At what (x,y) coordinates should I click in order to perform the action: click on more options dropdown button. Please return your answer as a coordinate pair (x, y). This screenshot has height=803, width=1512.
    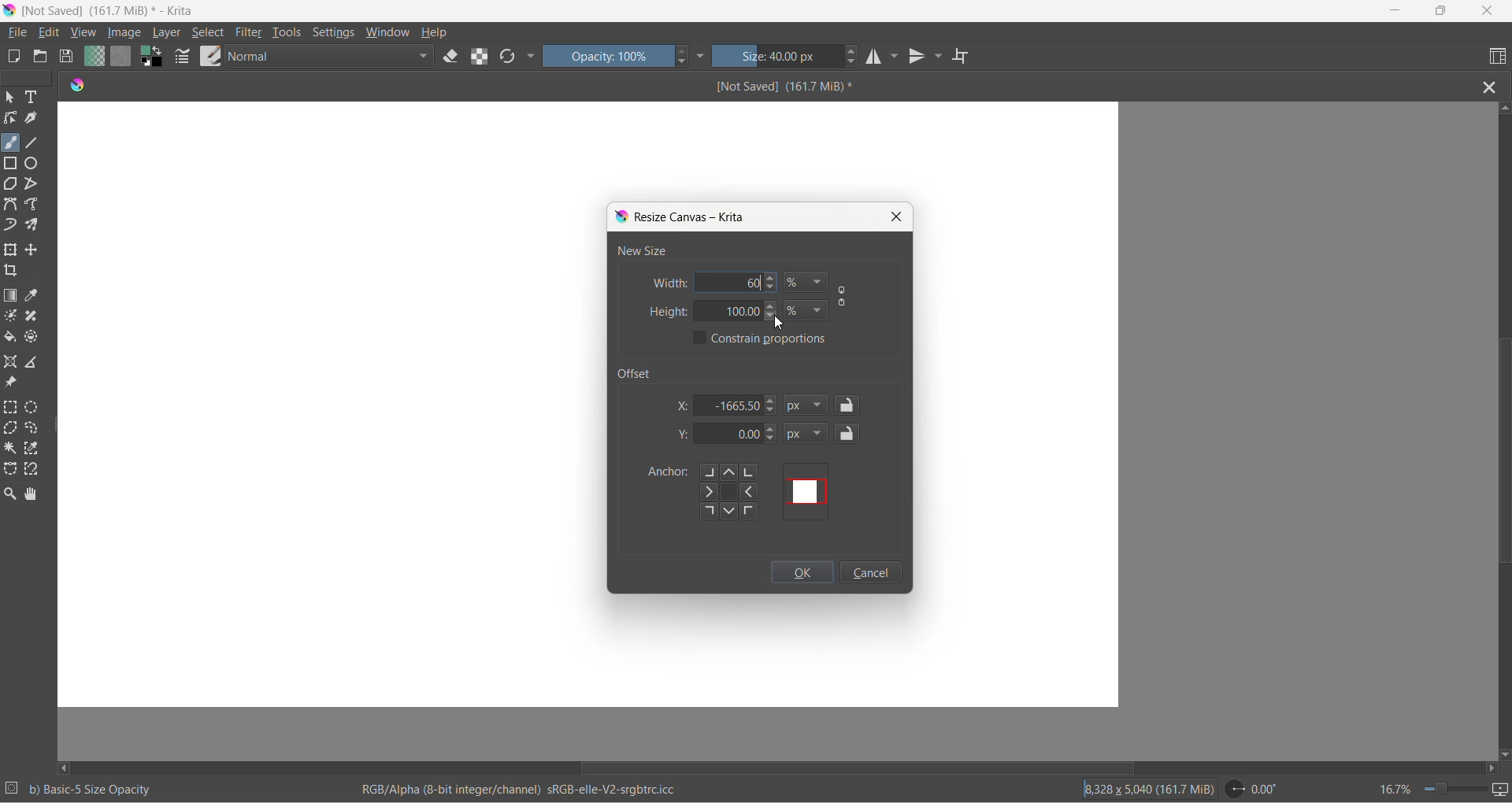
    Looking at the image, I should click on (531, 57).